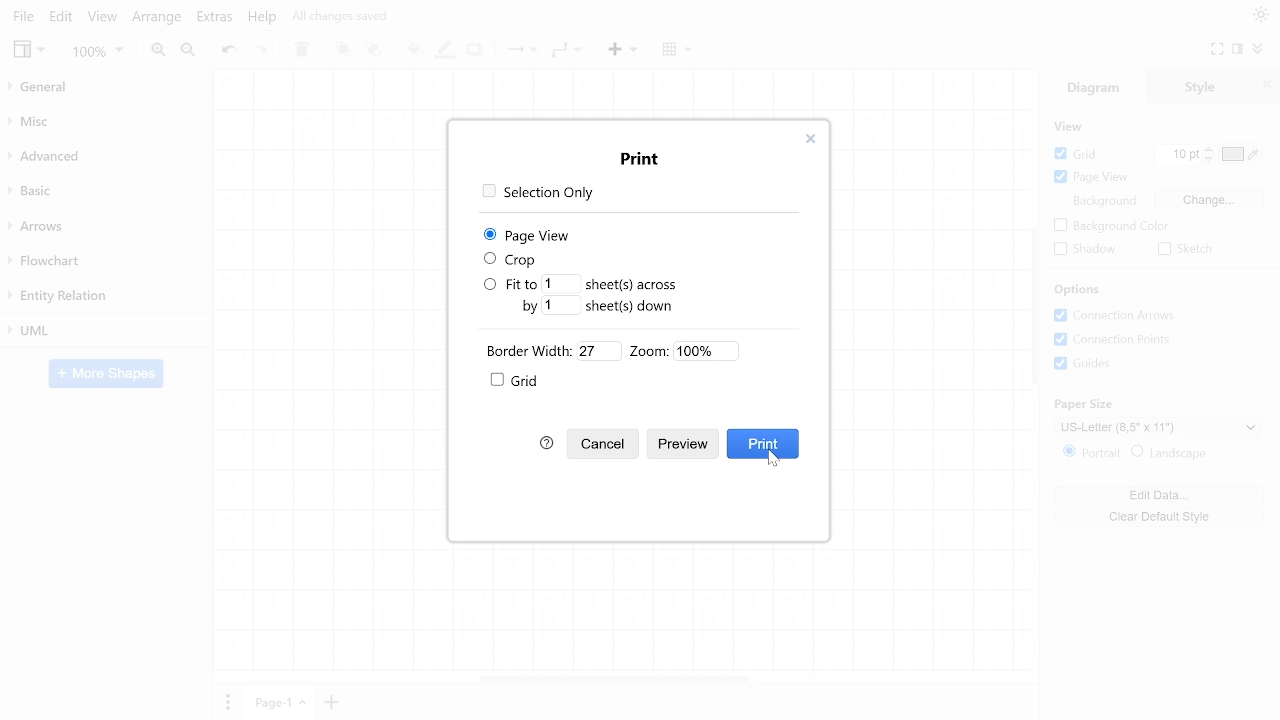  Describe the element at coordinates (101, 51) in the screenshot. I see `Zoom` at that location.